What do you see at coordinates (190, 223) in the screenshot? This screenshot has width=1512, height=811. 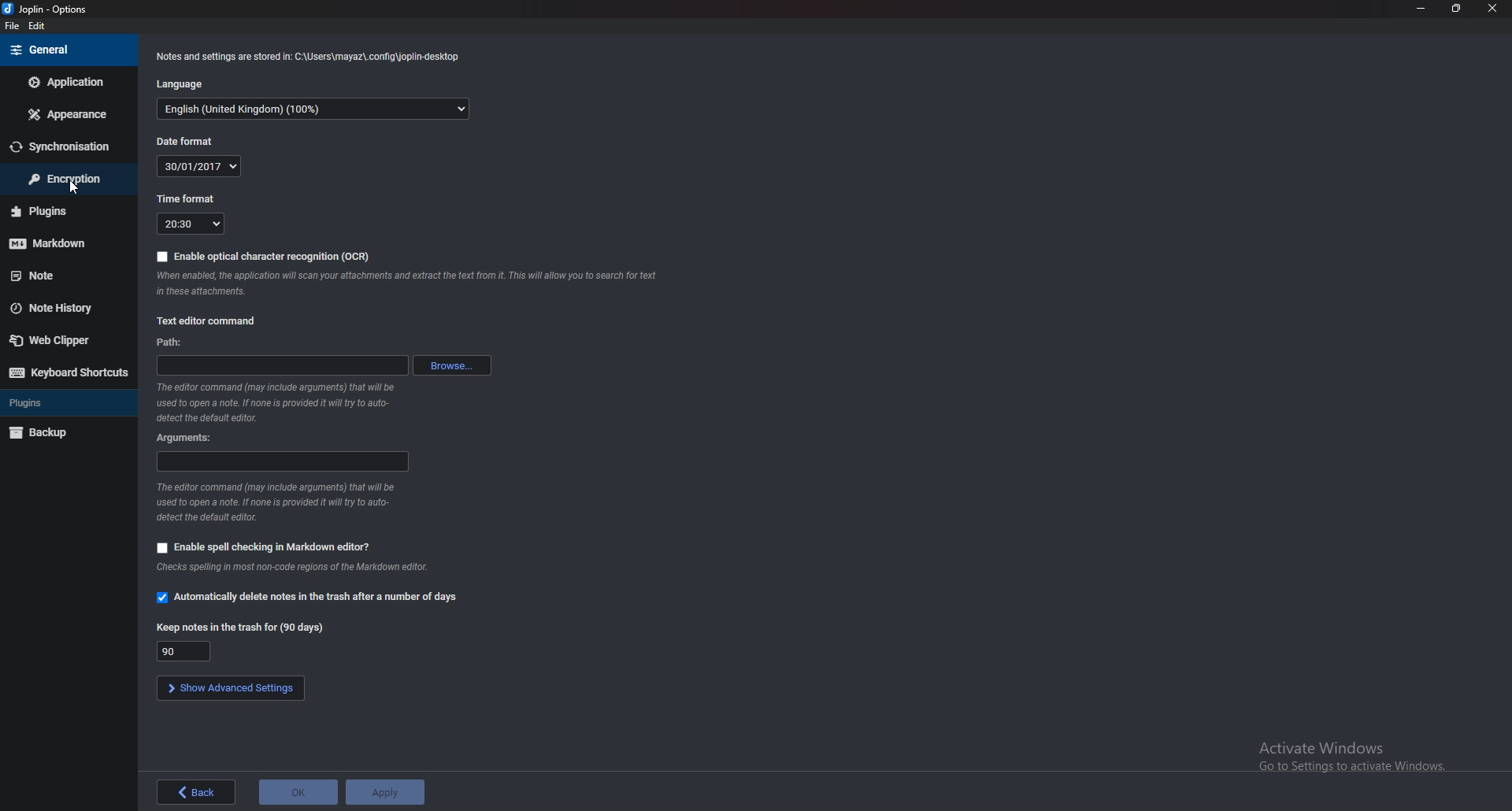 I see `time format` at bounding box center [190, 223].